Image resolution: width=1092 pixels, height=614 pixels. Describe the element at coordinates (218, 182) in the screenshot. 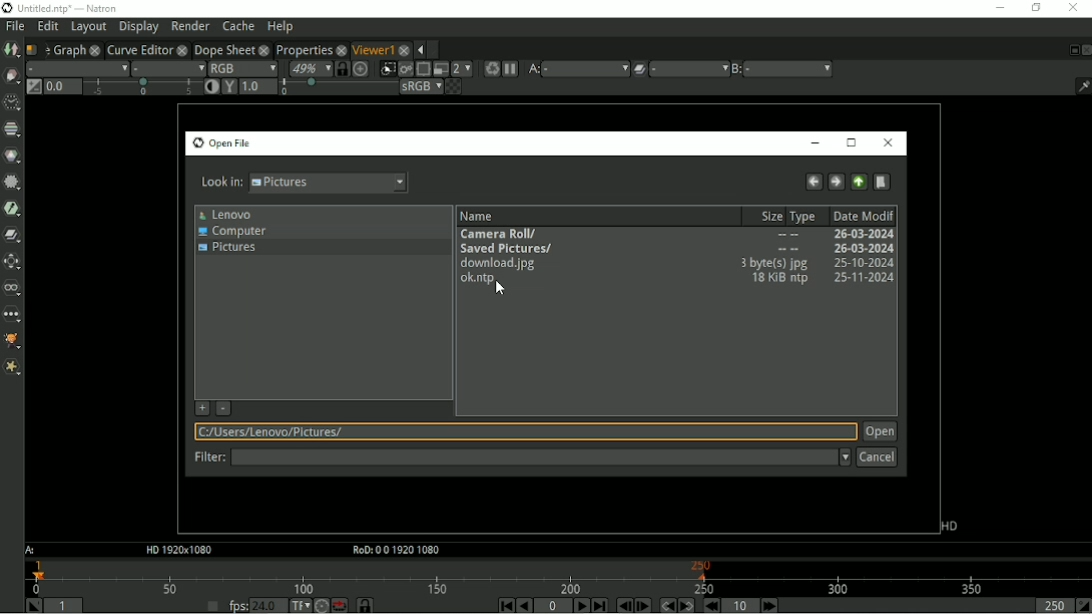

I see `Look in` at that location.